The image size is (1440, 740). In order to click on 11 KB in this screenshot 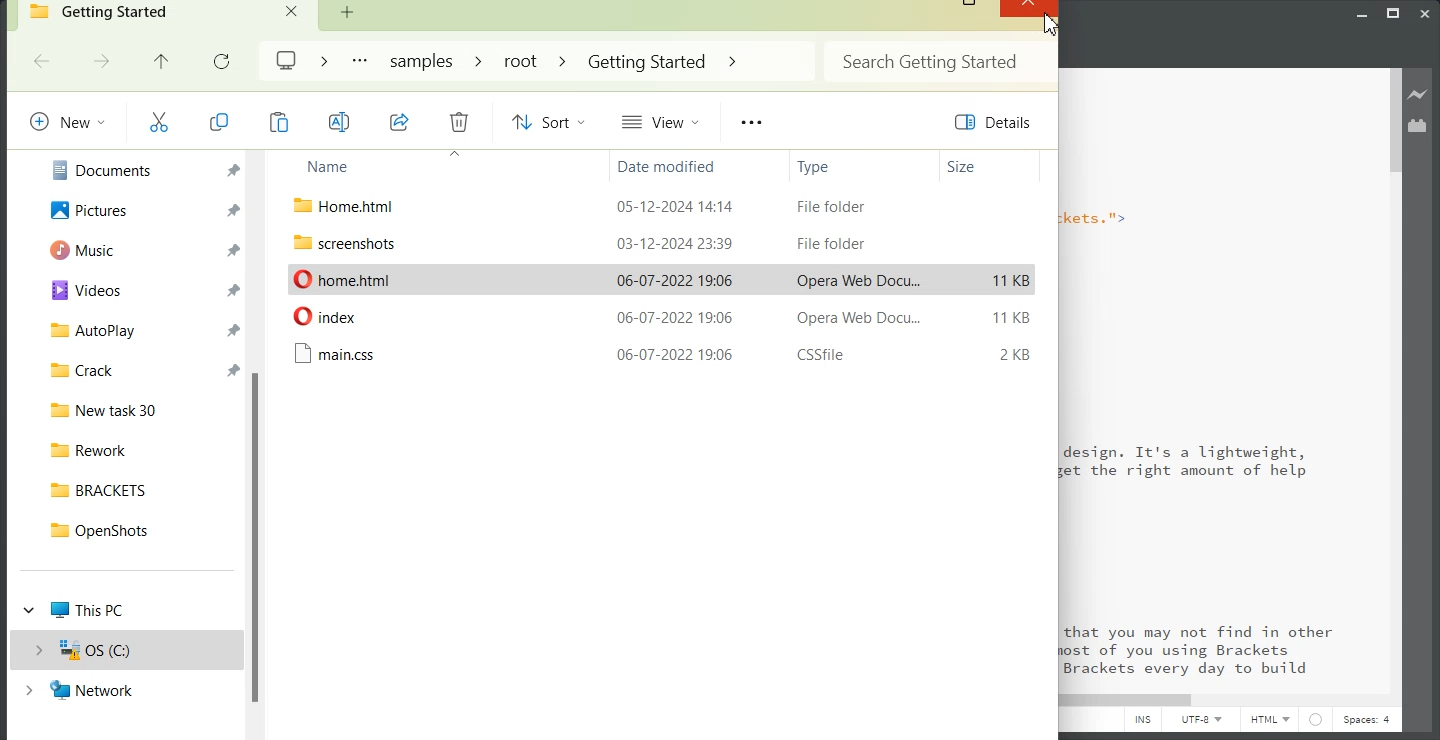, I will do `click(1011, 281)`.